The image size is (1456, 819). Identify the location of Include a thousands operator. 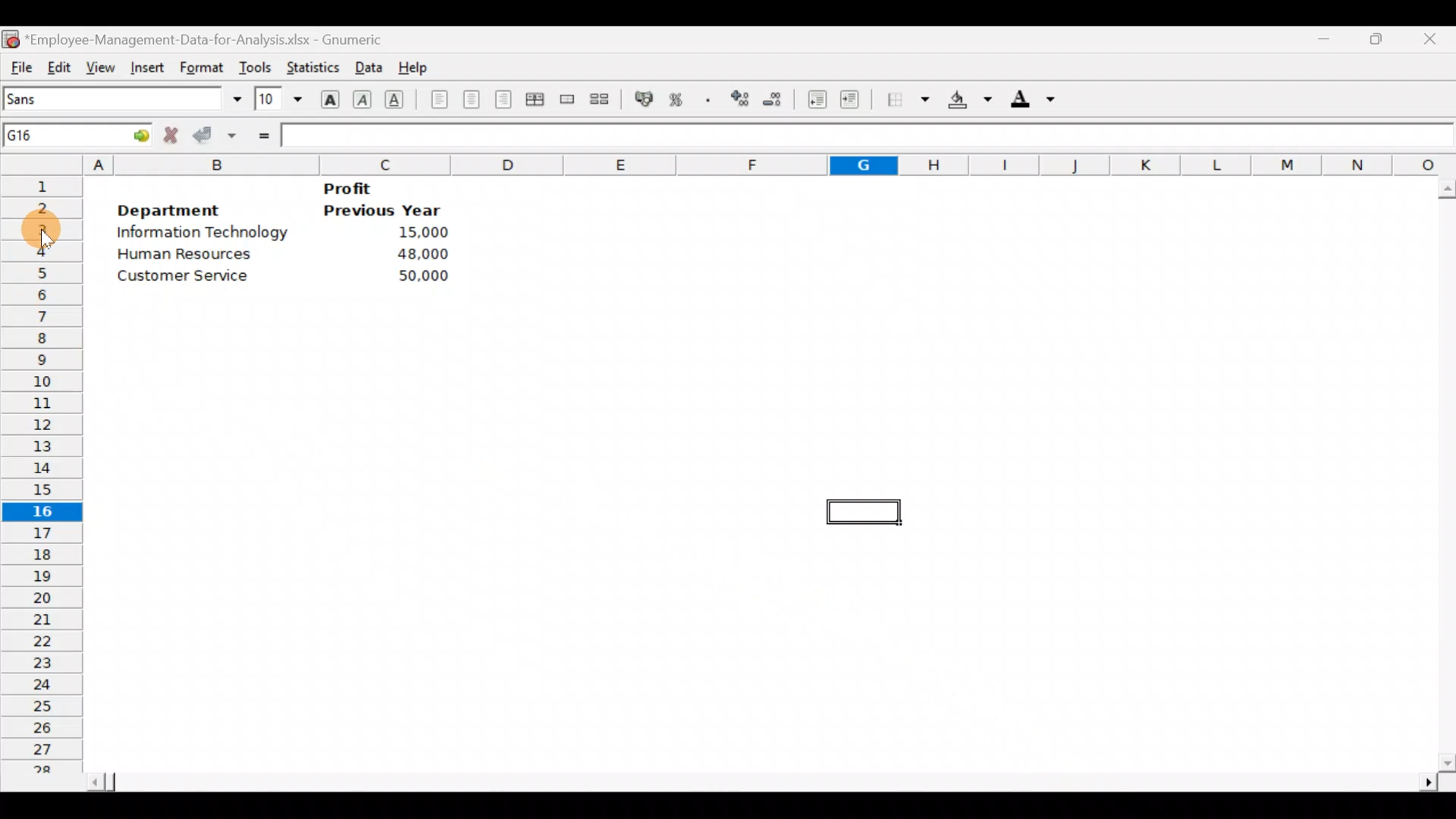
(711, 101).